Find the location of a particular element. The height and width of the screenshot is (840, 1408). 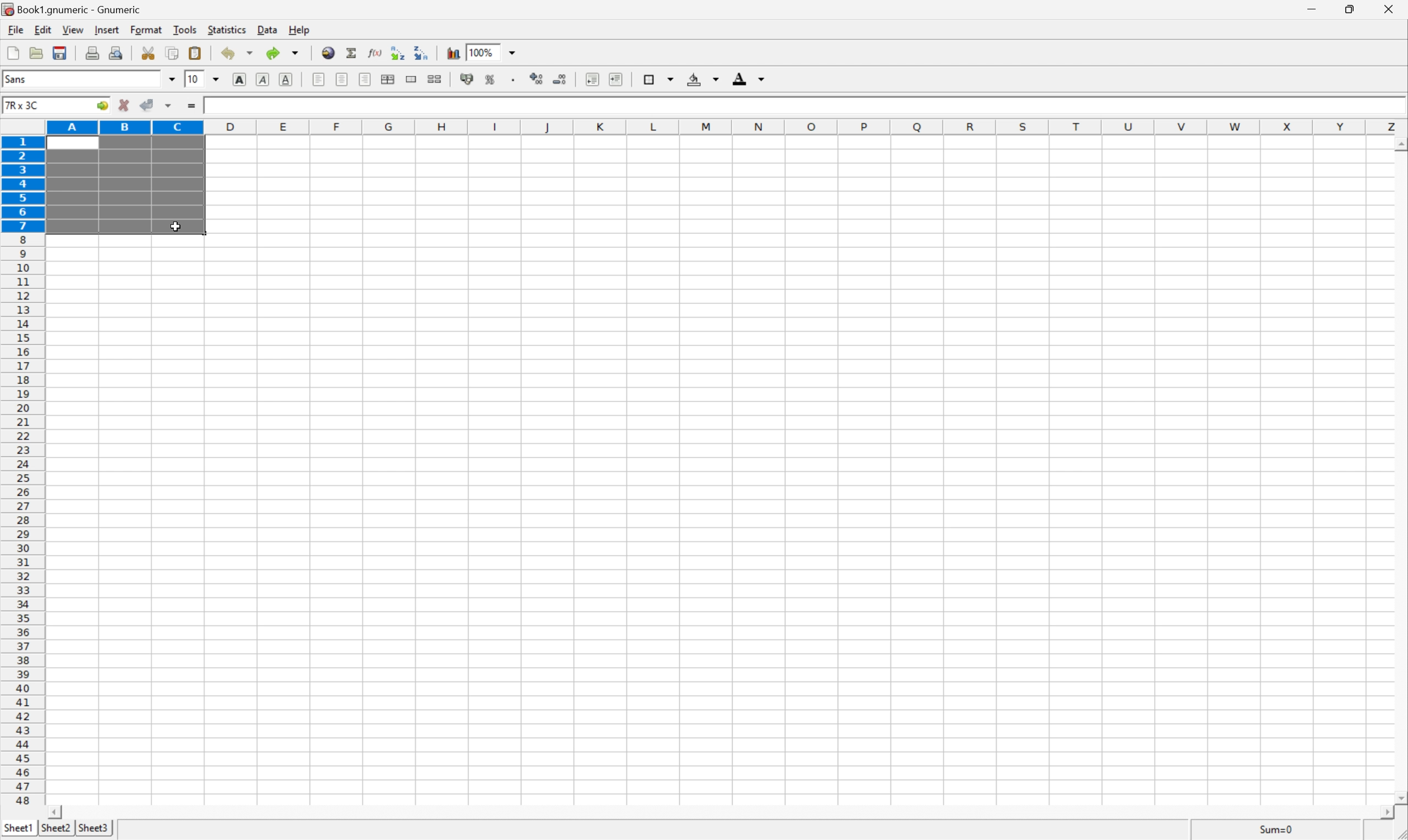

undo is located at coordinates (236, 53).